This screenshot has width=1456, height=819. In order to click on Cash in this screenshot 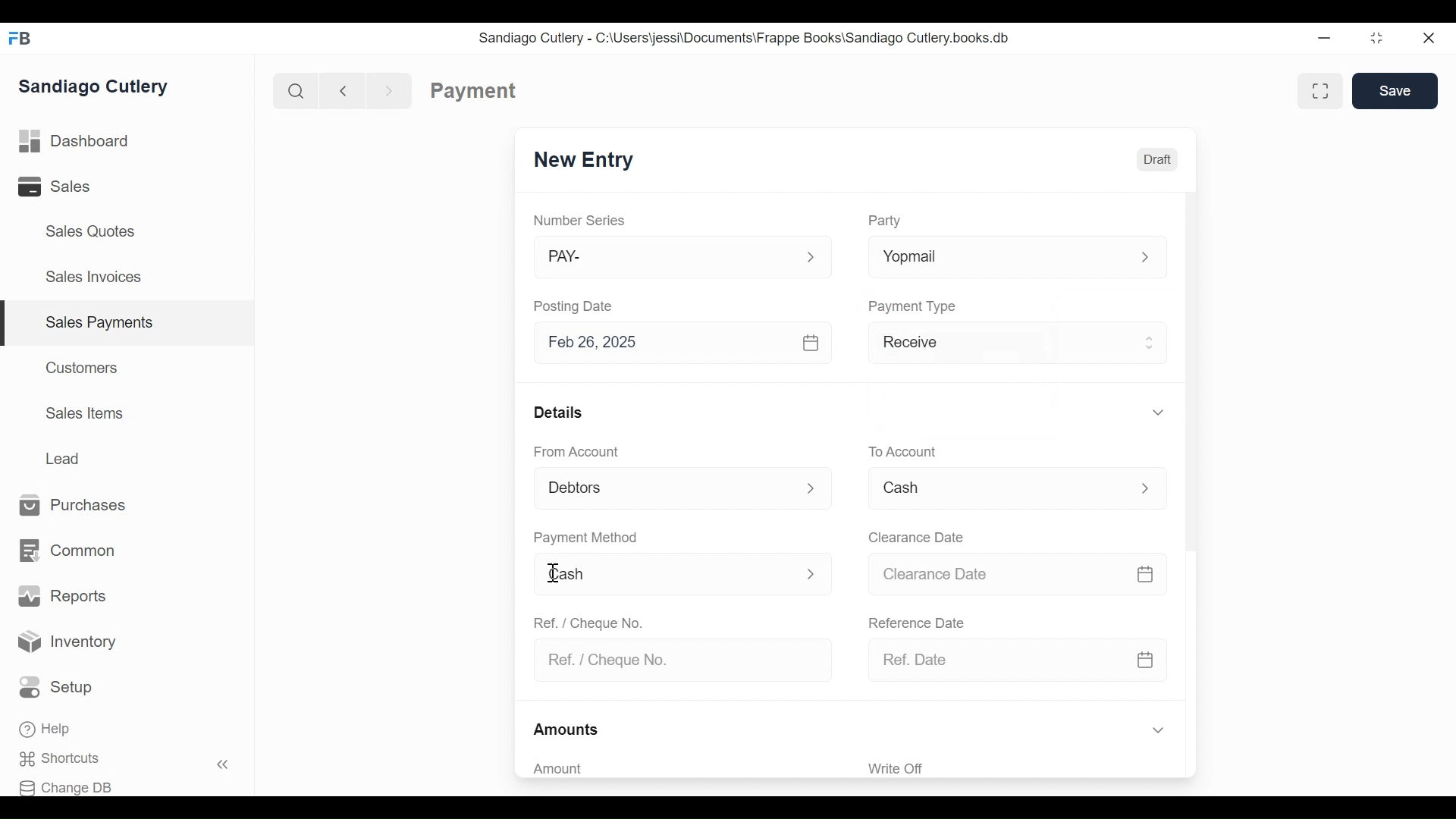, I will do `click(996, 492)`.